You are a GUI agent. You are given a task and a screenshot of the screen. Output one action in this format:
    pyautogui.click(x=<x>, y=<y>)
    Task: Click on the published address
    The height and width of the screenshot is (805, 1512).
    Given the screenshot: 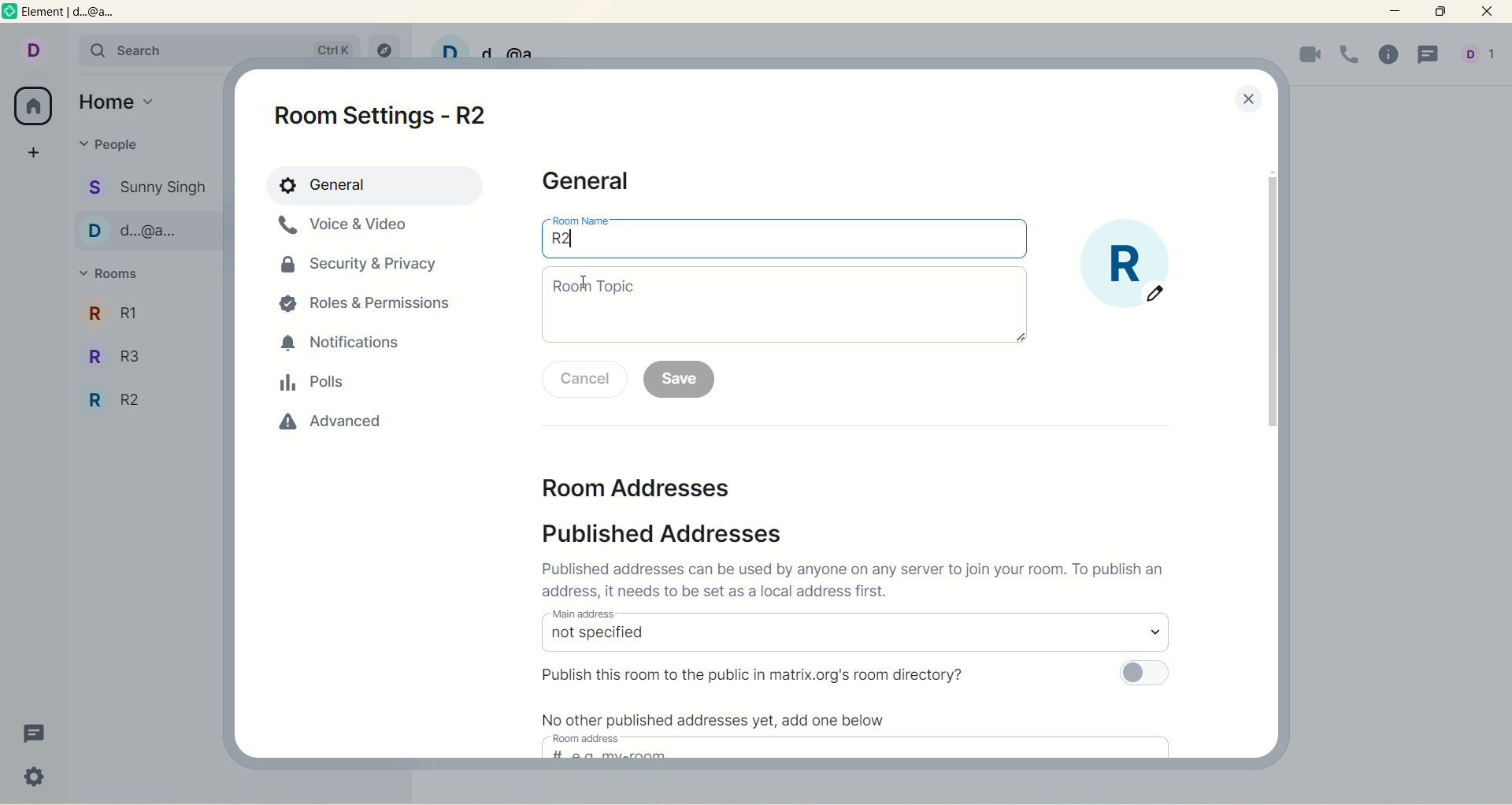 What is the action you would take?
    pyautogui.click(x=676, y=533)
    